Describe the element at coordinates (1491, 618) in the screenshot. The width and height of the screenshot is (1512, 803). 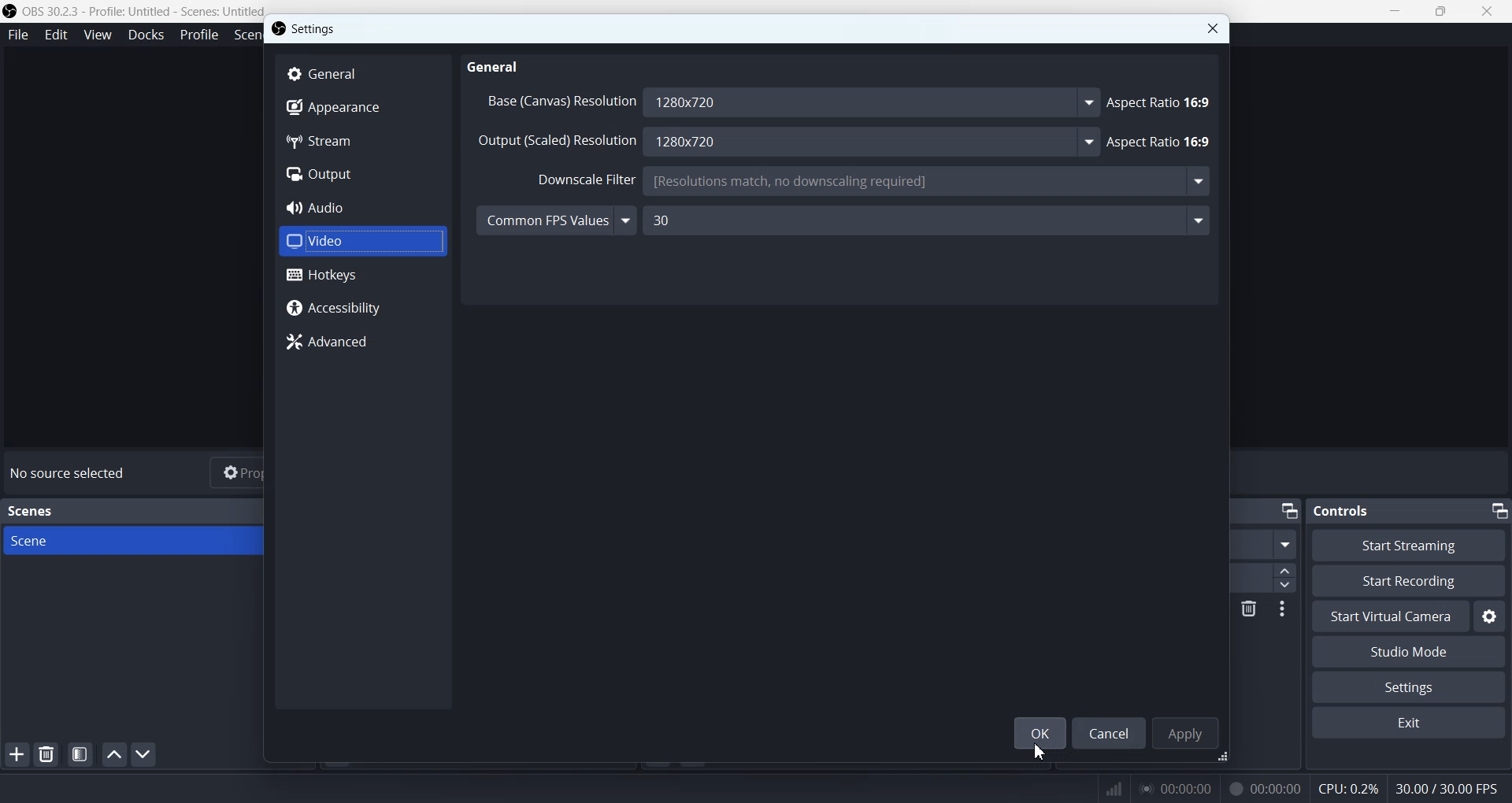
I see `Settings` at that location.